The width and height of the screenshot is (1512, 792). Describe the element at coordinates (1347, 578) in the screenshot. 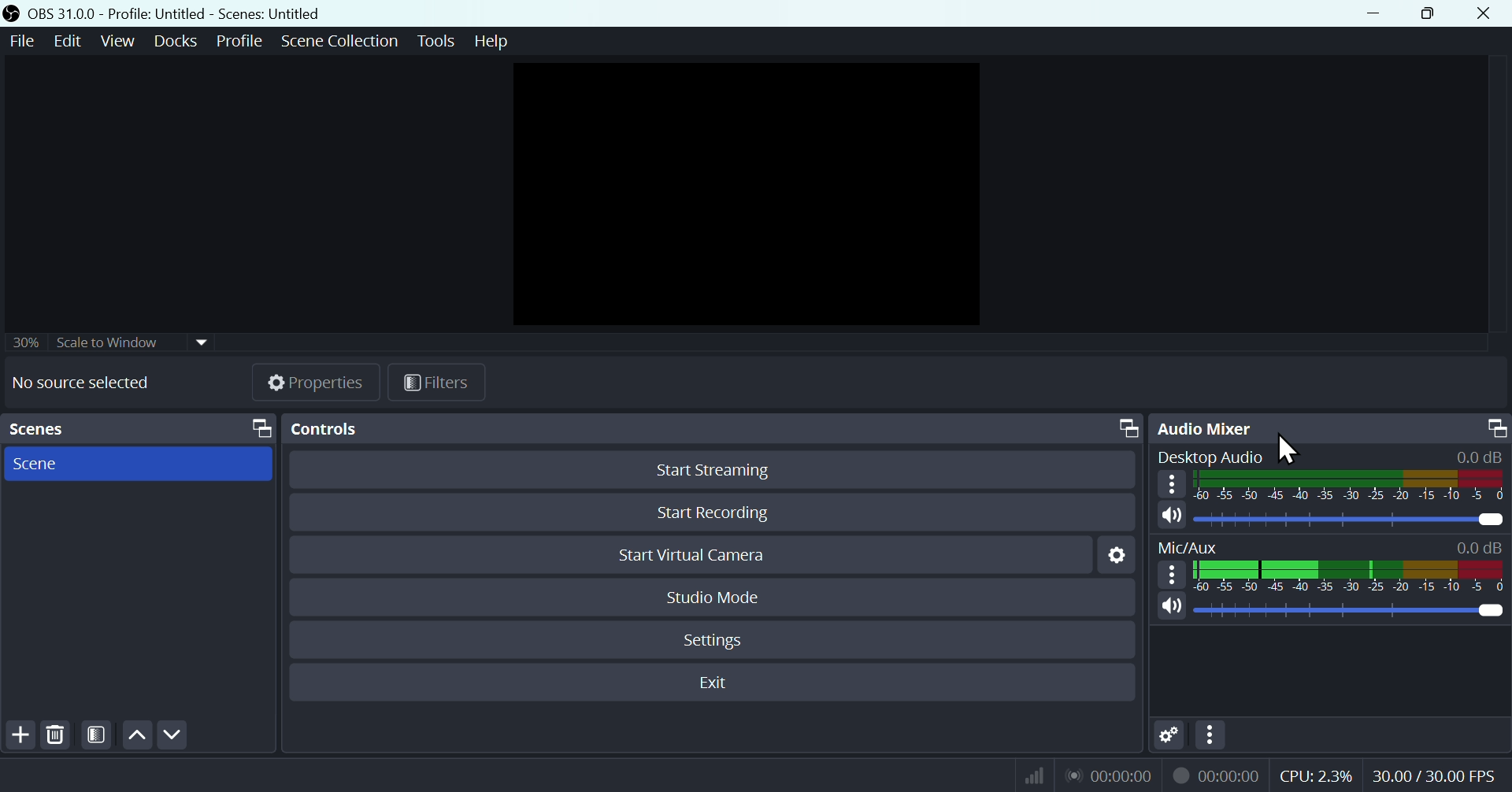

I see `Mic/Aux bar` at that location.